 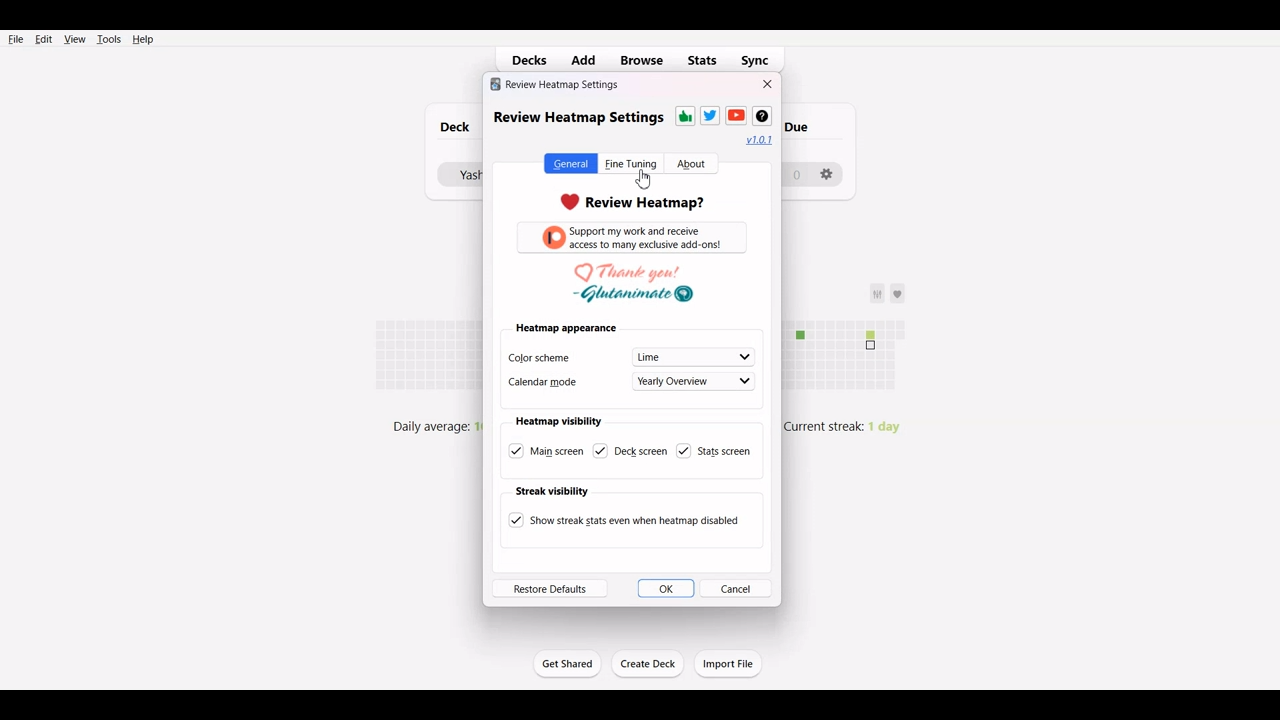 I want to click on Show streak Stats even when heatmap disabled, so click(x=623, y=520).